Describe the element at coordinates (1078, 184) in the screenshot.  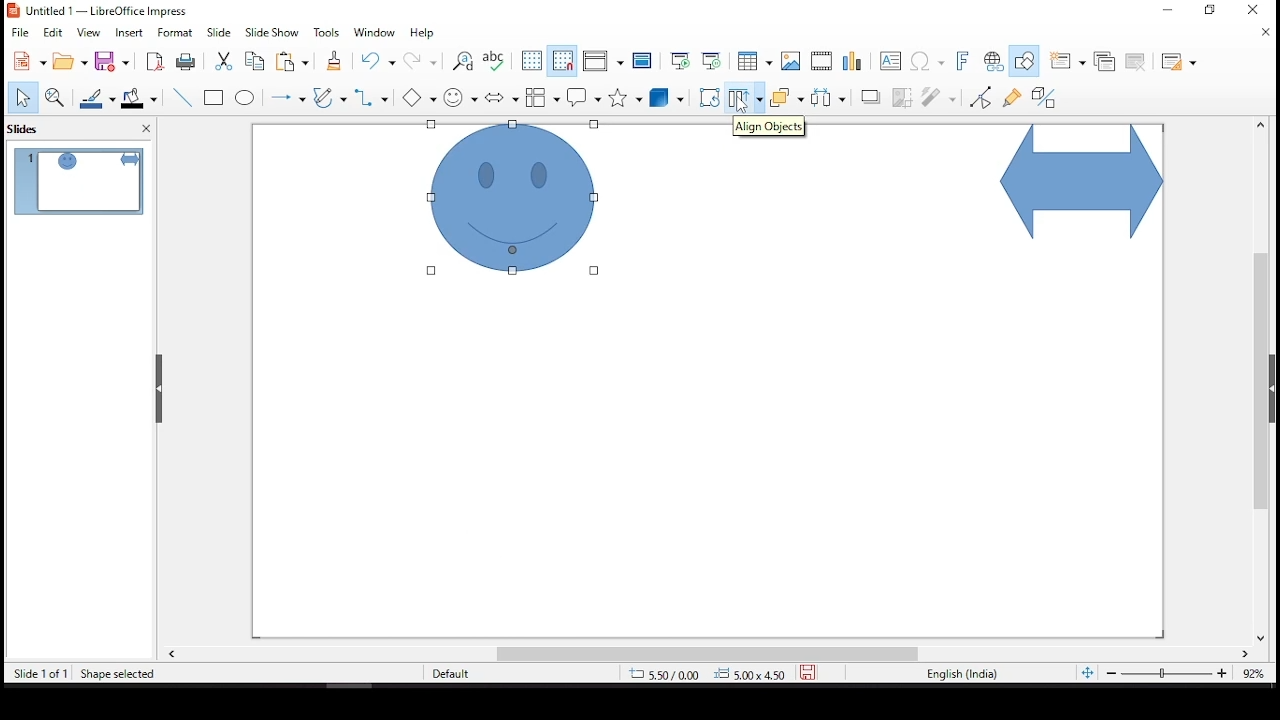
I see `object (selected)` at that location.